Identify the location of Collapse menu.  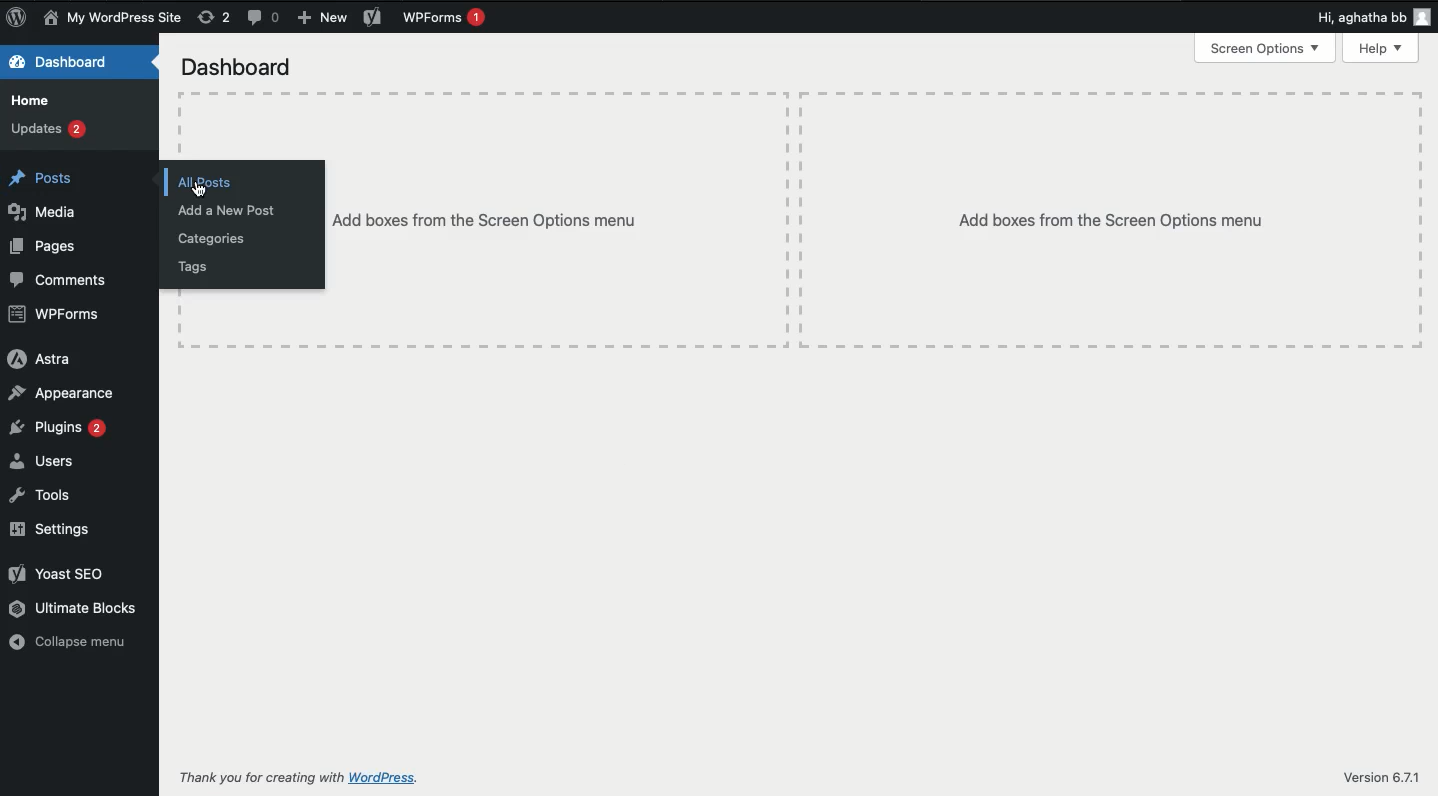
(74, 644).